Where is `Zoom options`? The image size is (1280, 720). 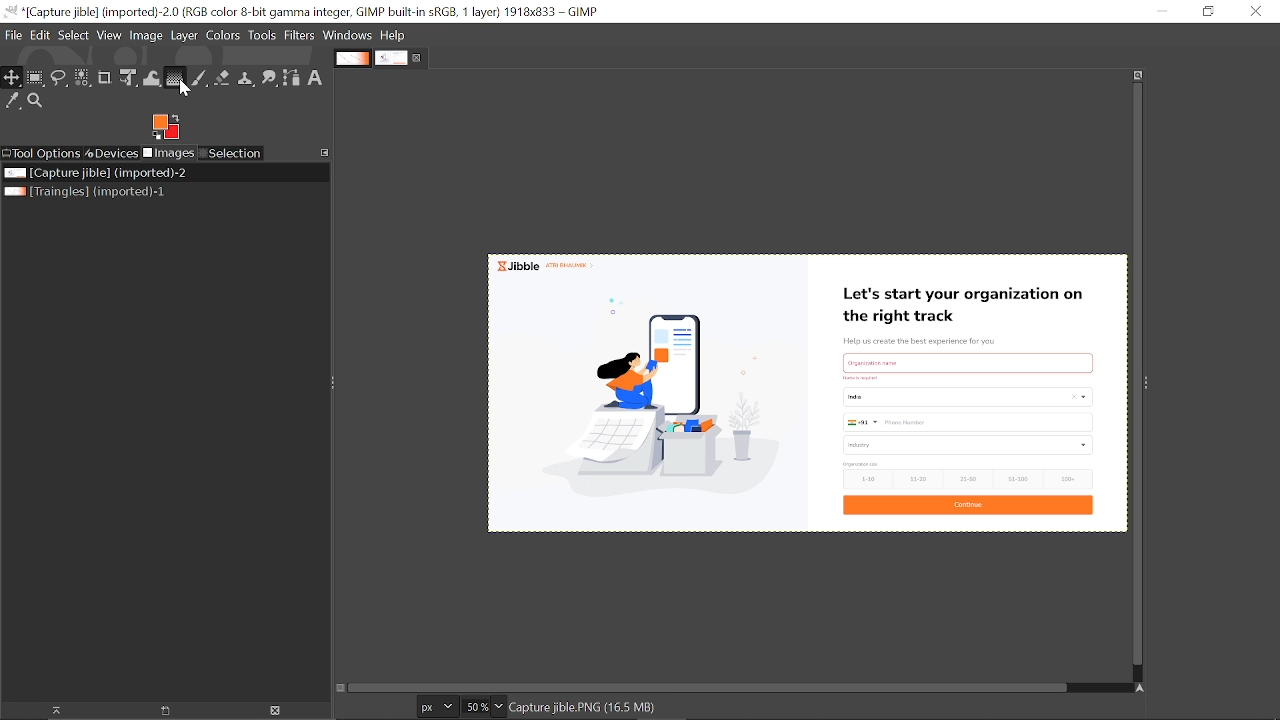
Zoom options is located at coordinates (498, 707).